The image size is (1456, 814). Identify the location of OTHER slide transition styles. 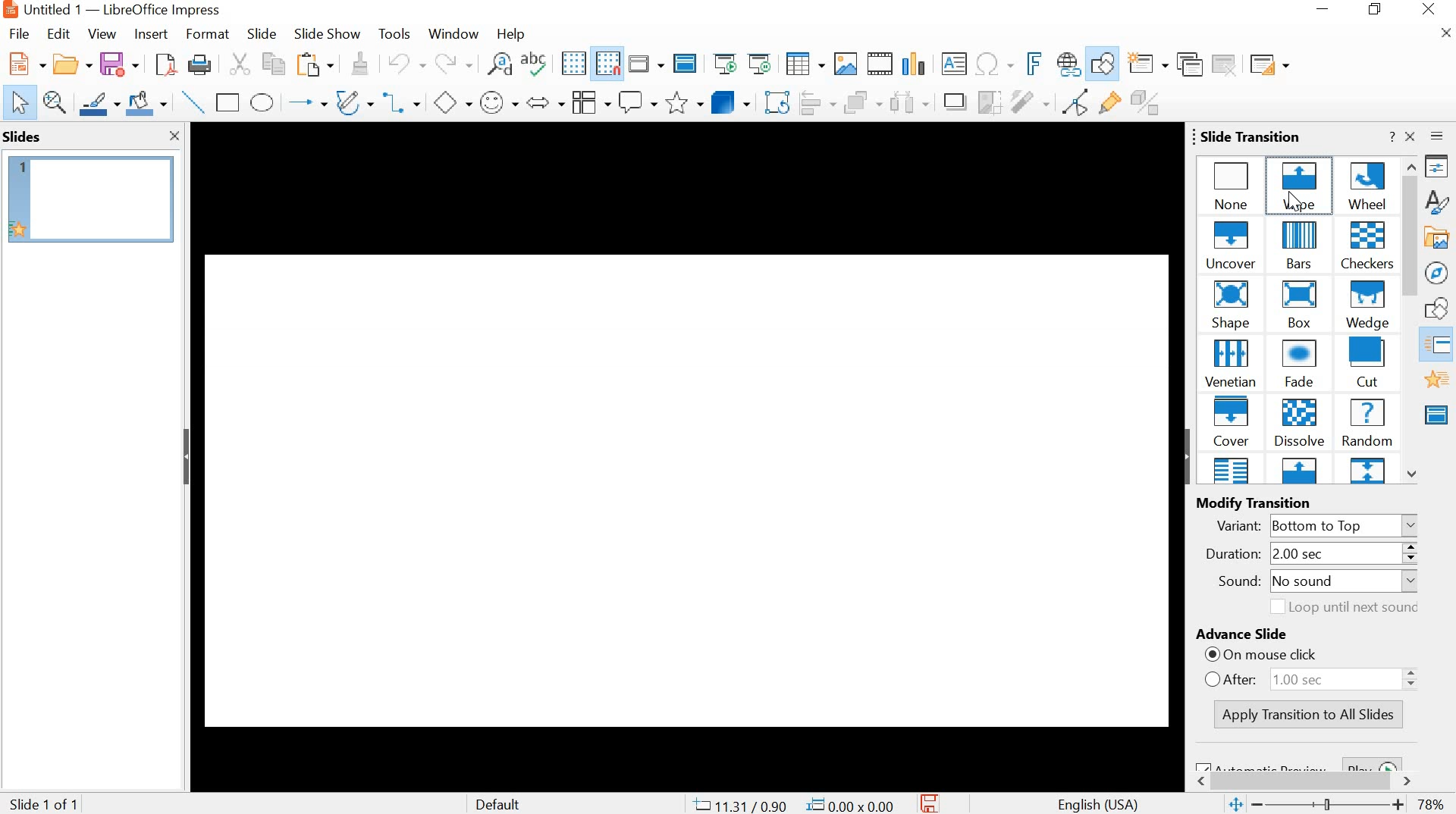
(1300, 471).